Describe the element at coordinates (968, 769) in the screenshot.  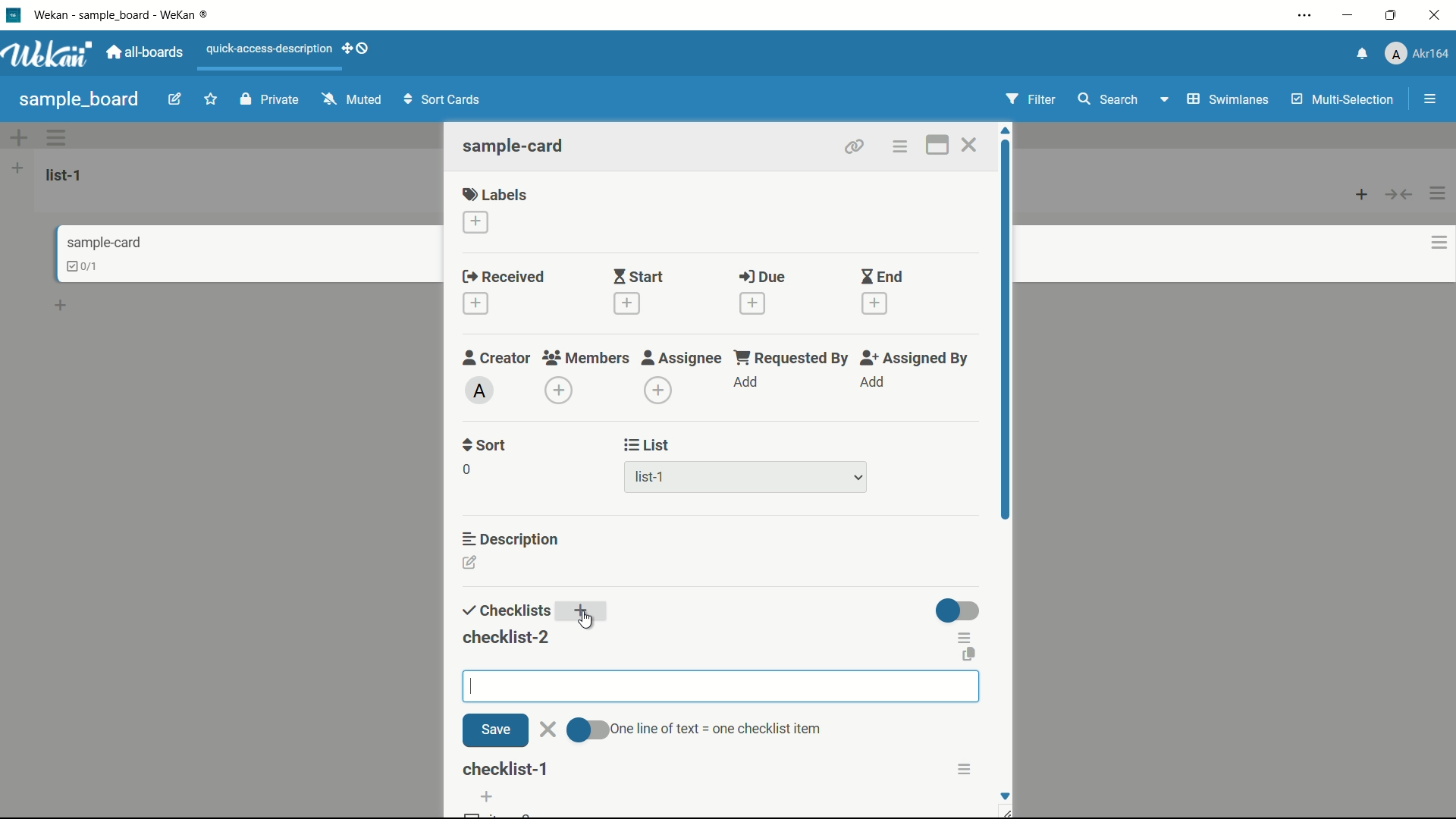
I see `options` at that location.